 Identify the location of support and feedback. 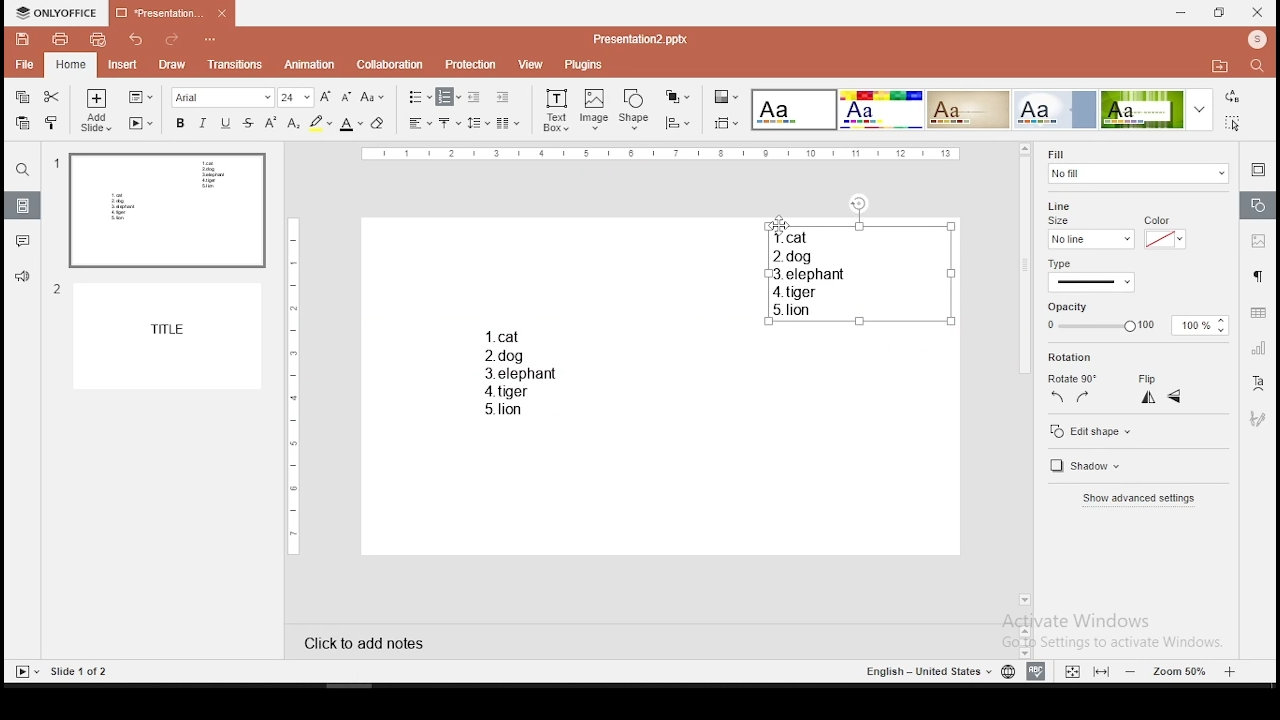
(23, 278).